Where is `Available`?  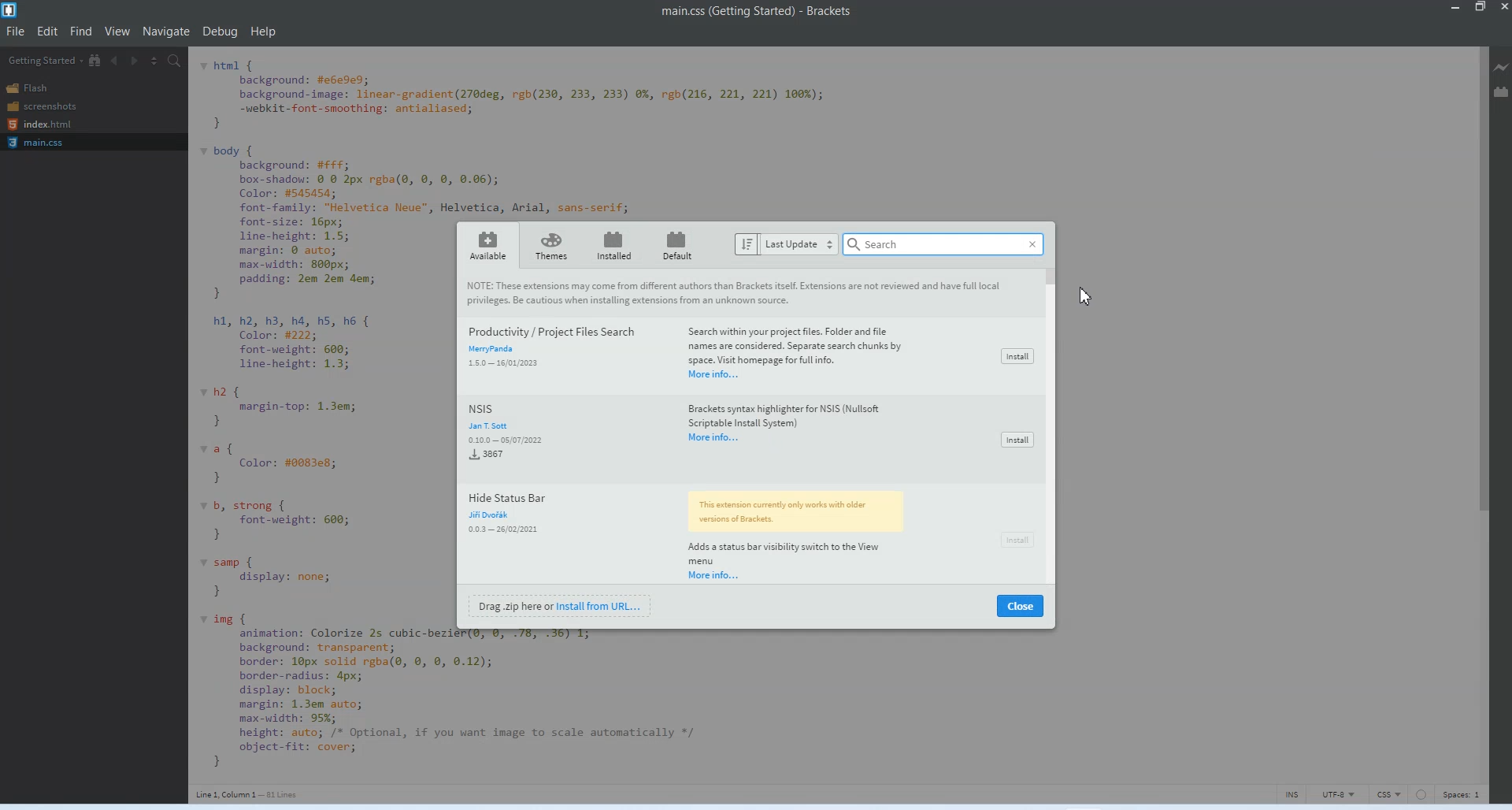 Available is located at coordinates (487, 244).